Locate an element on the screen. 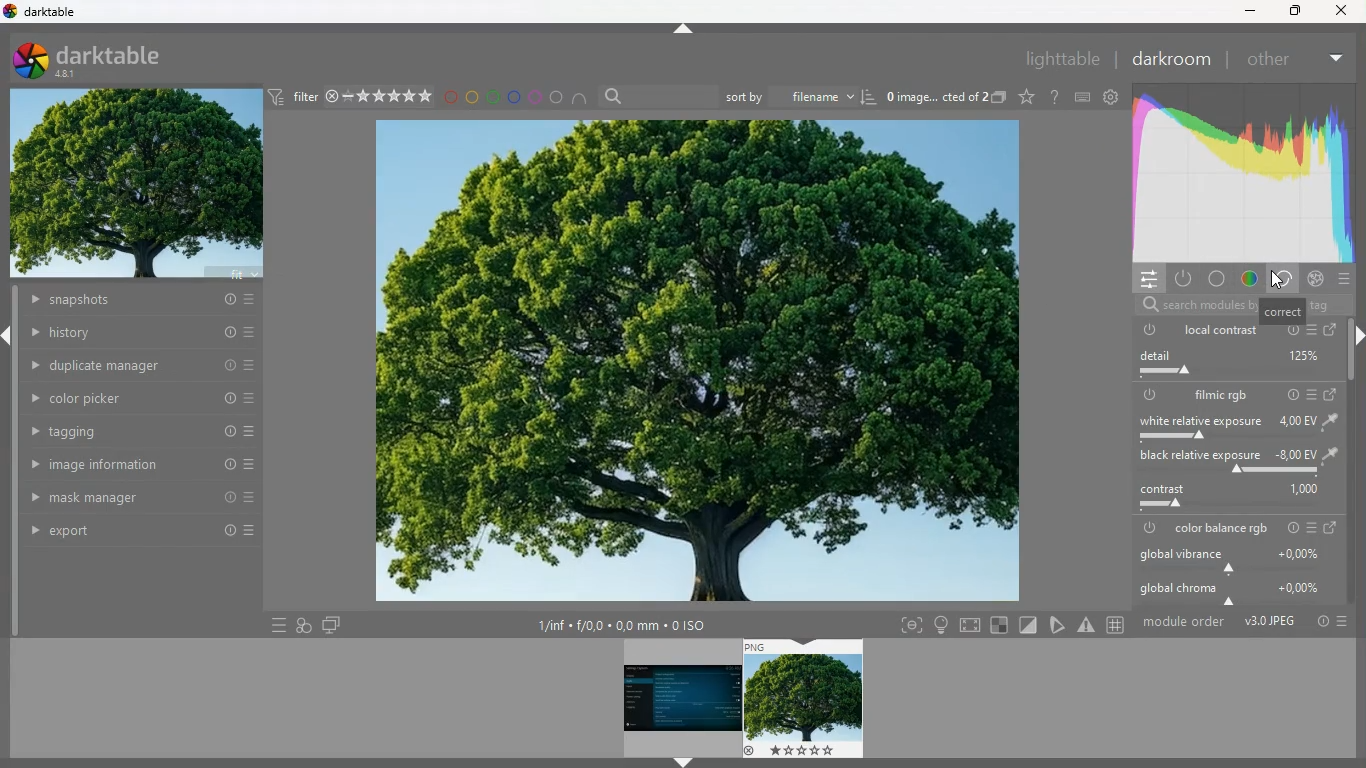  diagnonal is located at coordinates (1028, 625).